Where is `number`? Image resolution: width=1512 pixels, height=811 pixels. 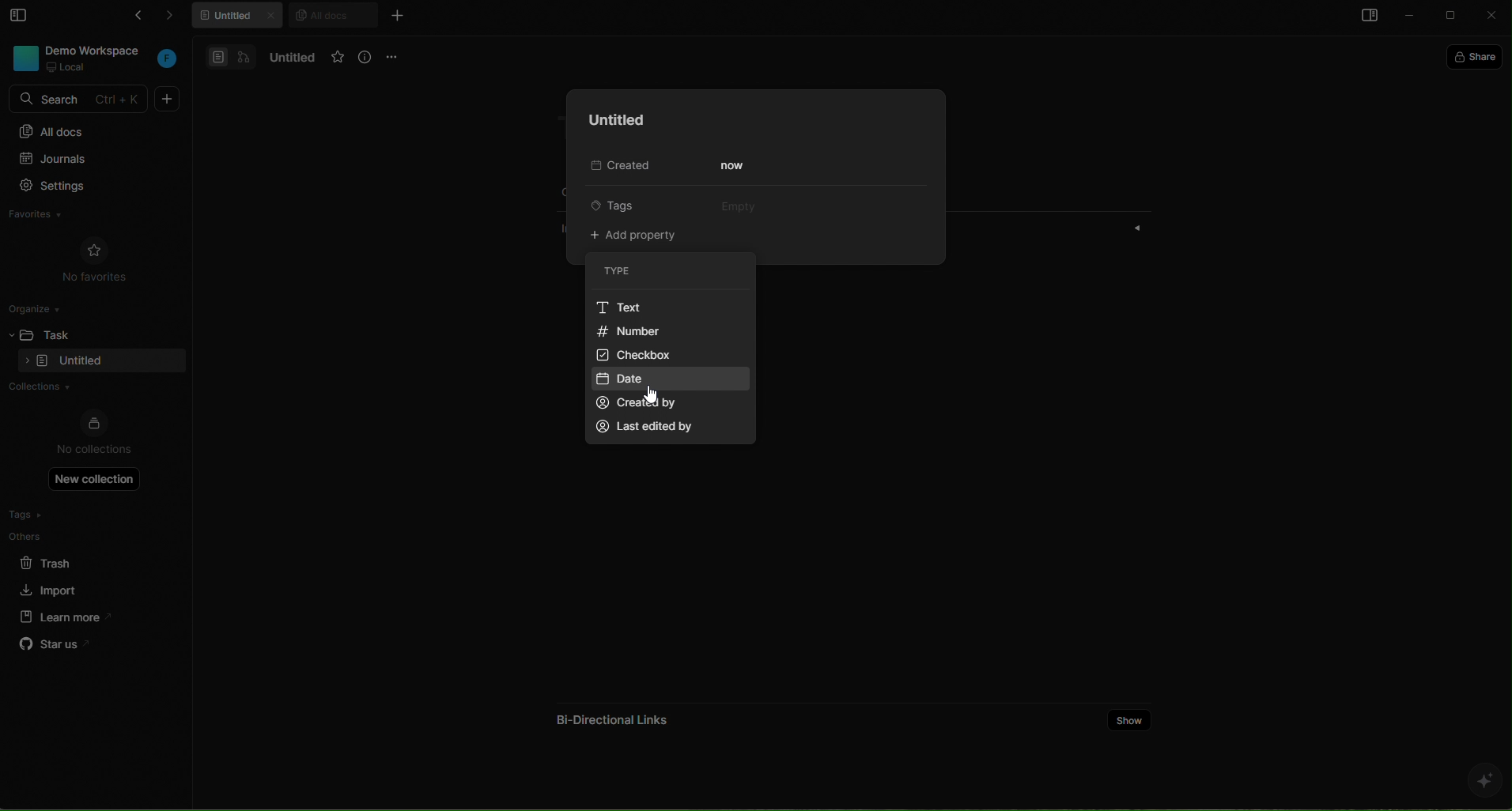 number is located at coordinates (626, 330).